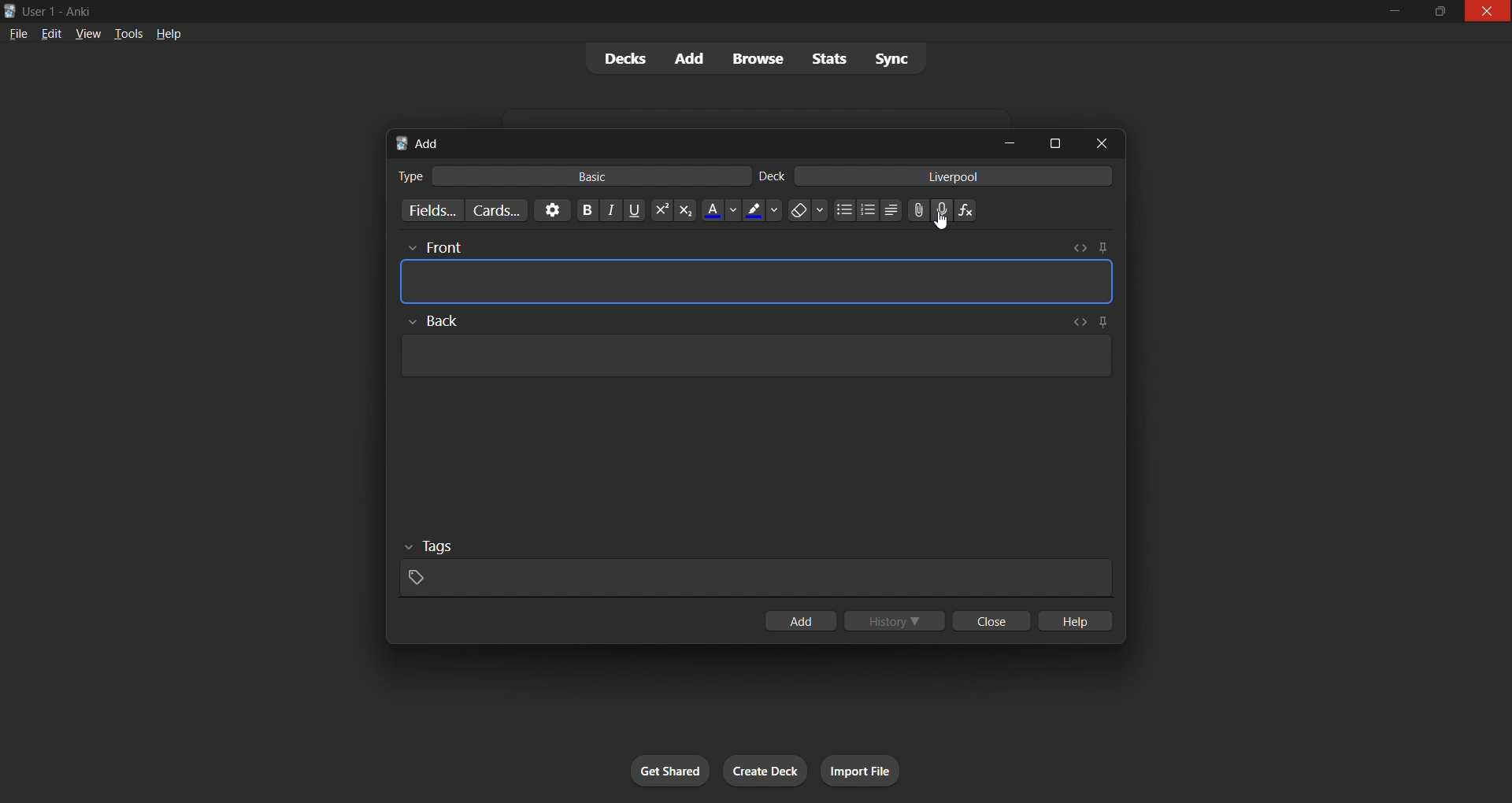 Image resolution: width=1512 pixels, height=803 pixels. What do you see at coordinates (581, 210) in the screenshot?
I see `bold` at bounding box center [581, 210].